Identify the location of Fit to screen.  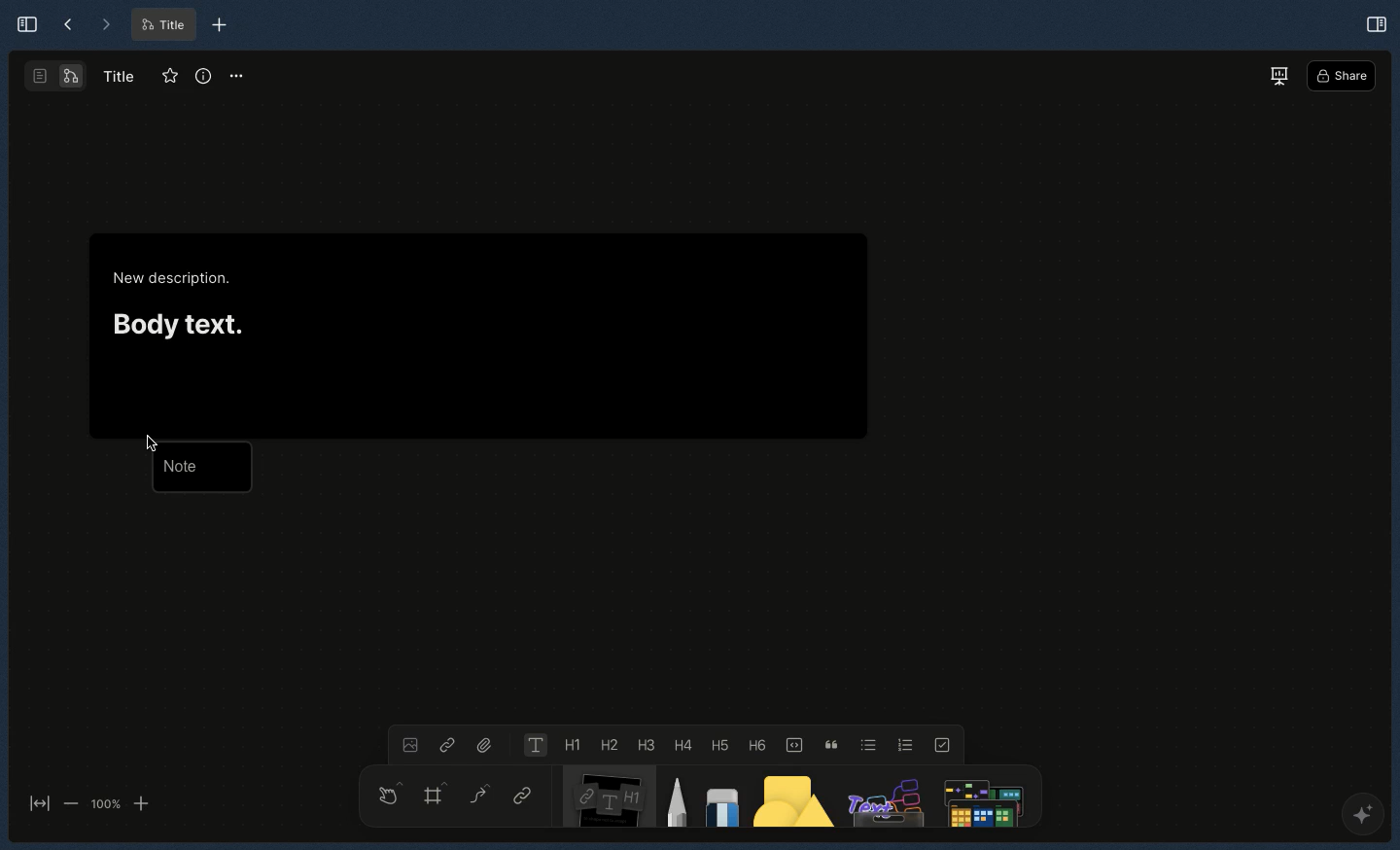
(37, 805).